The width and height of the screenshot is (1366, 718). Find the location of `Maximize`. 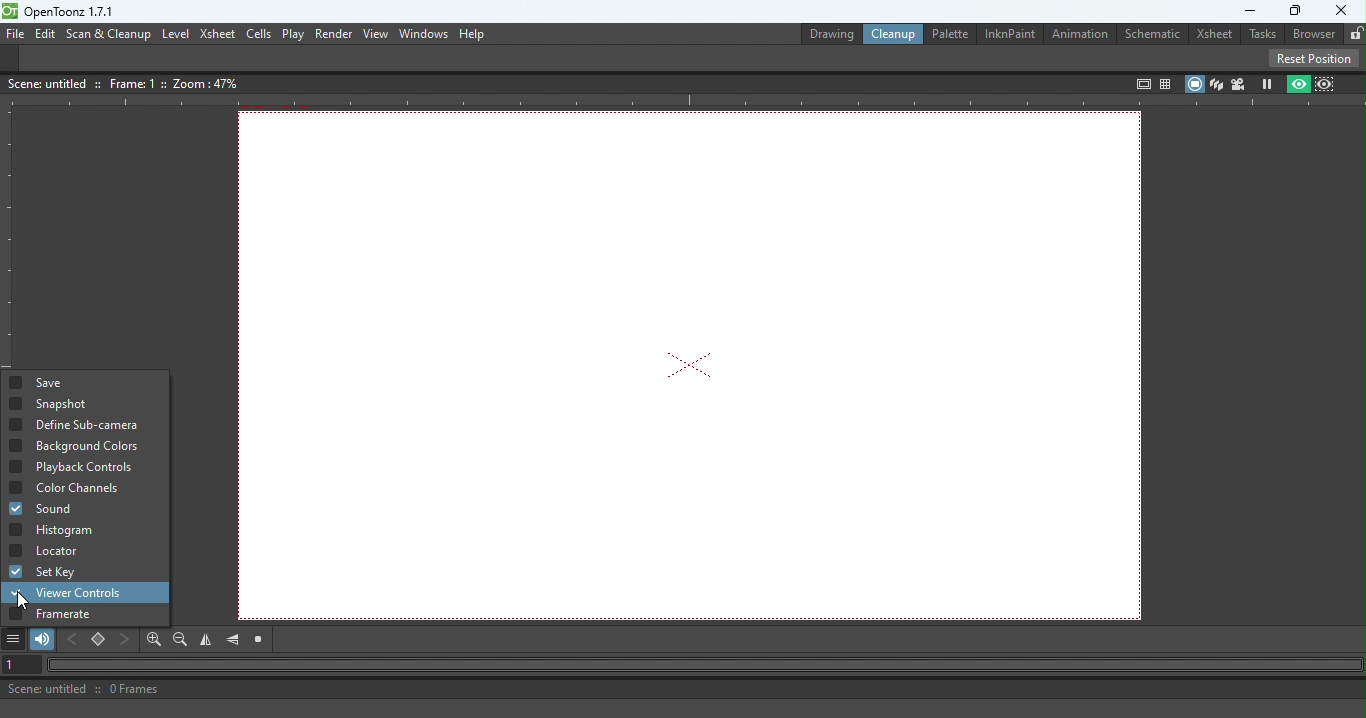

Maximize is located at coordinates (1296, 11).